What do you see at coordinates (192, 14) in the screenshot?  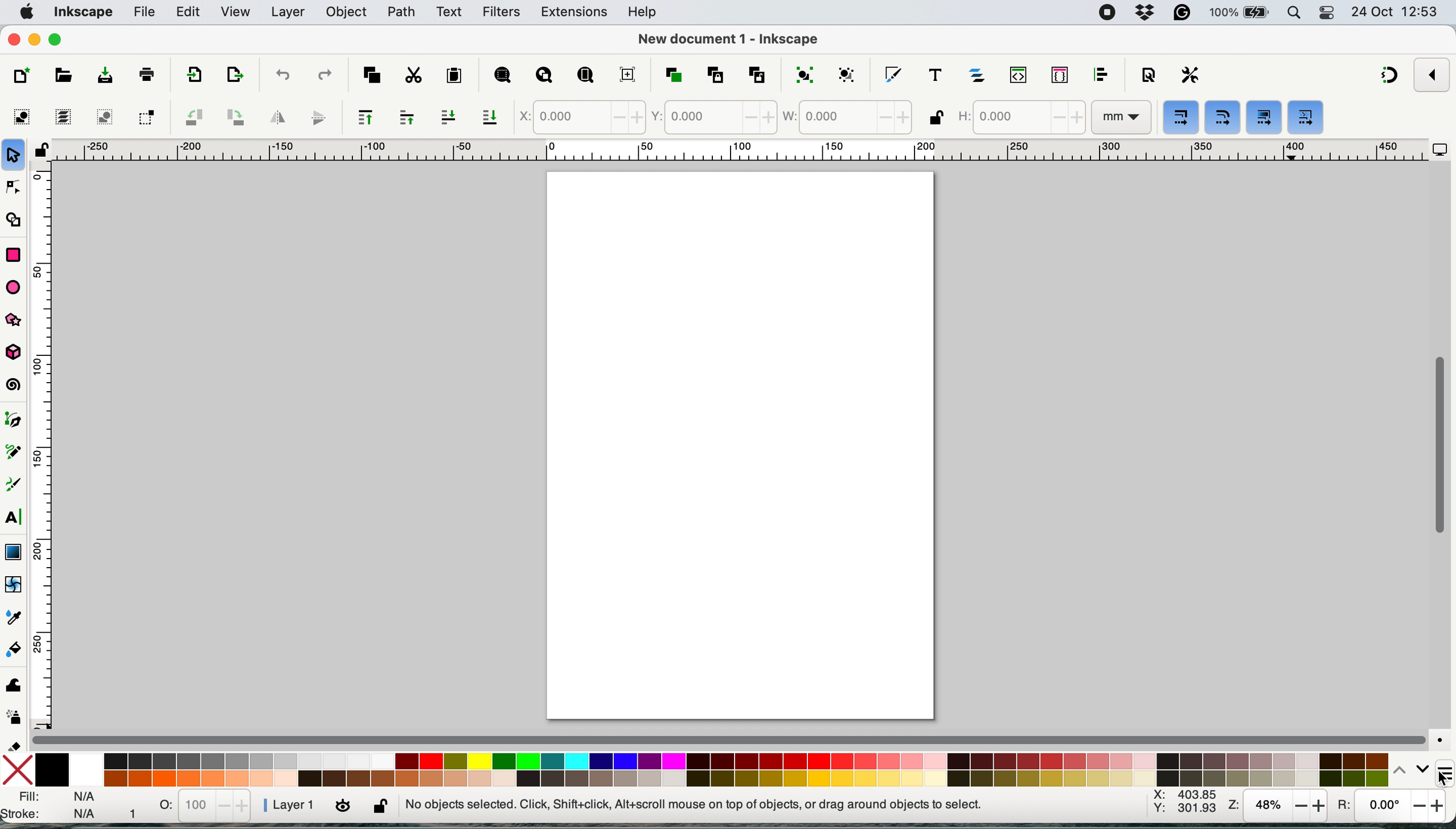 I see `edit` at bounding box center [192, 14].